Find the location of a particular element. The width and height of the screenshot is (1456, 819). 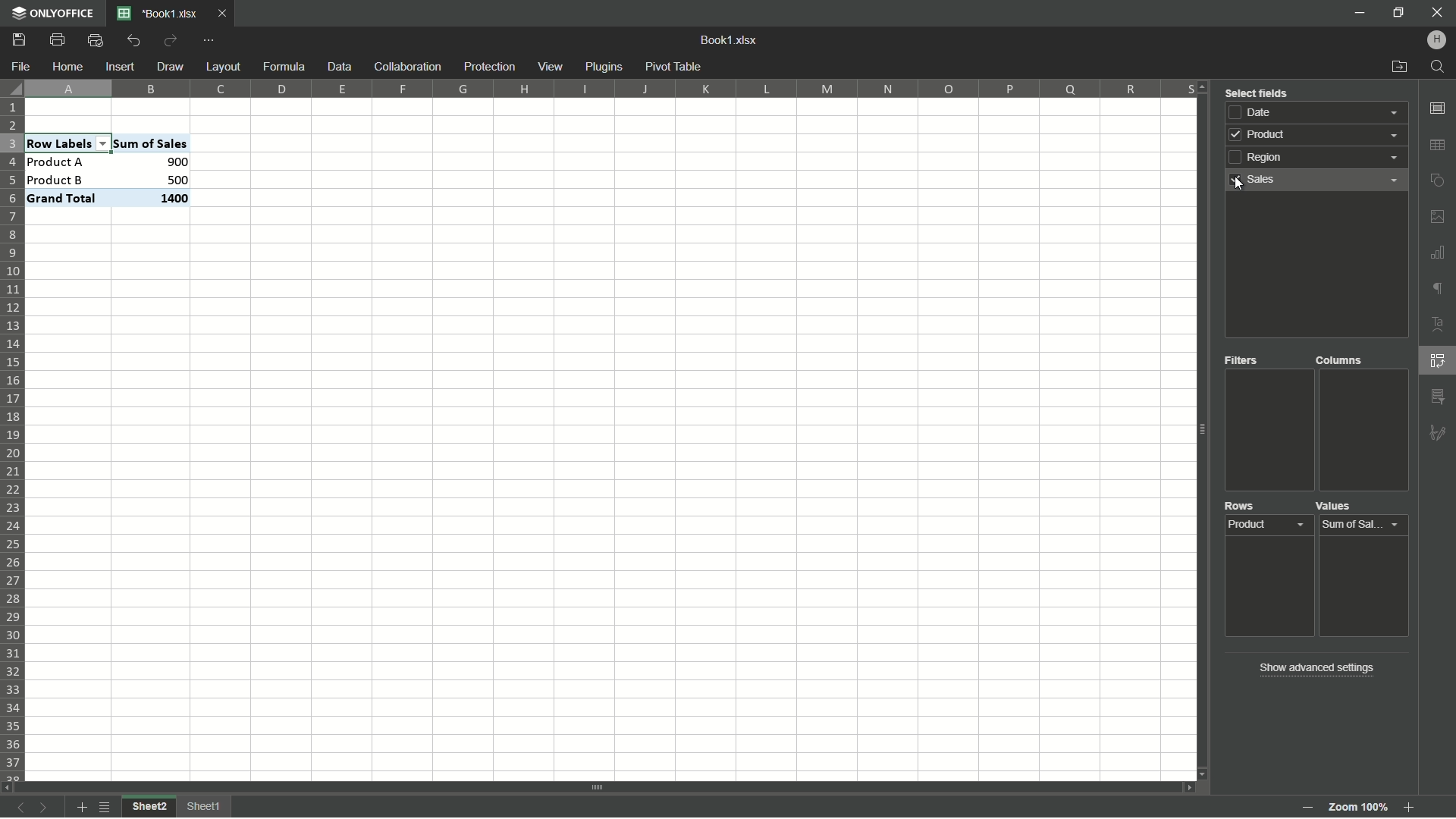

hp is located at coordinates (1438, 39).